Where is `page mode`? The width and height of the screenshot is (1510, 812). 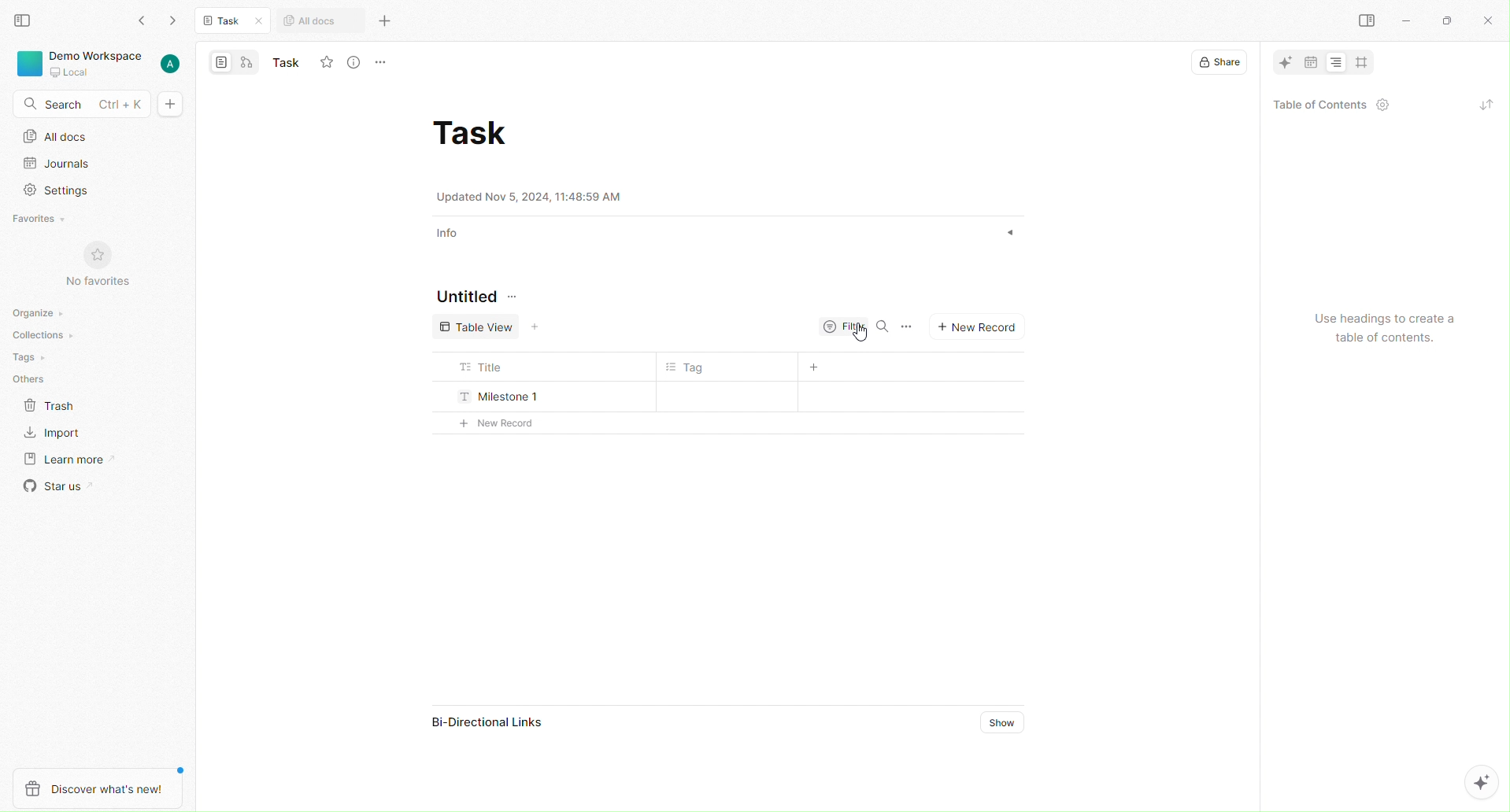 page mode is located at coordinates (220, 64).